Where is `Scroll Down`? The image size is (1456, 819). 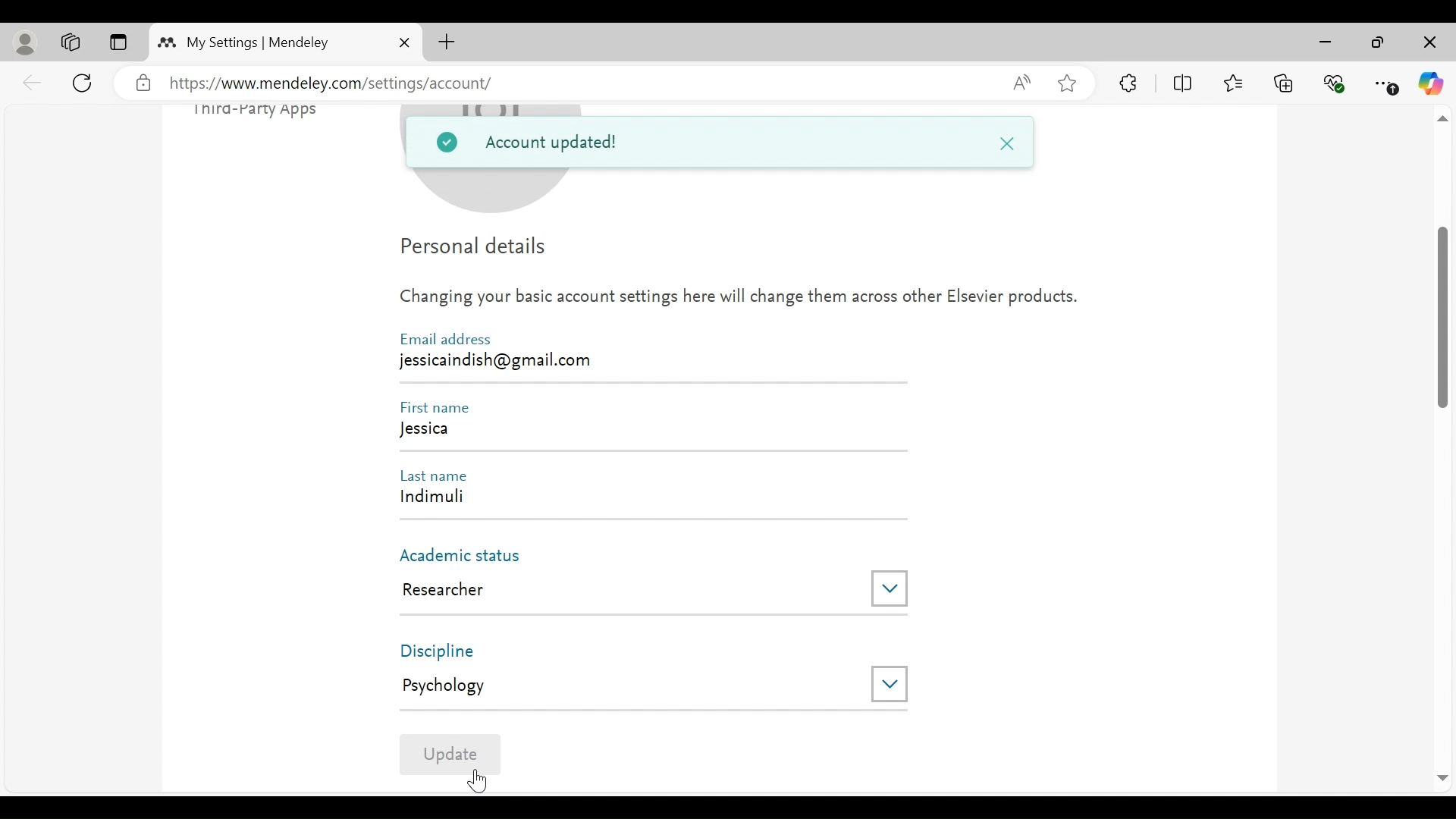
Scroll Down is located at coordinates (1442, 779).